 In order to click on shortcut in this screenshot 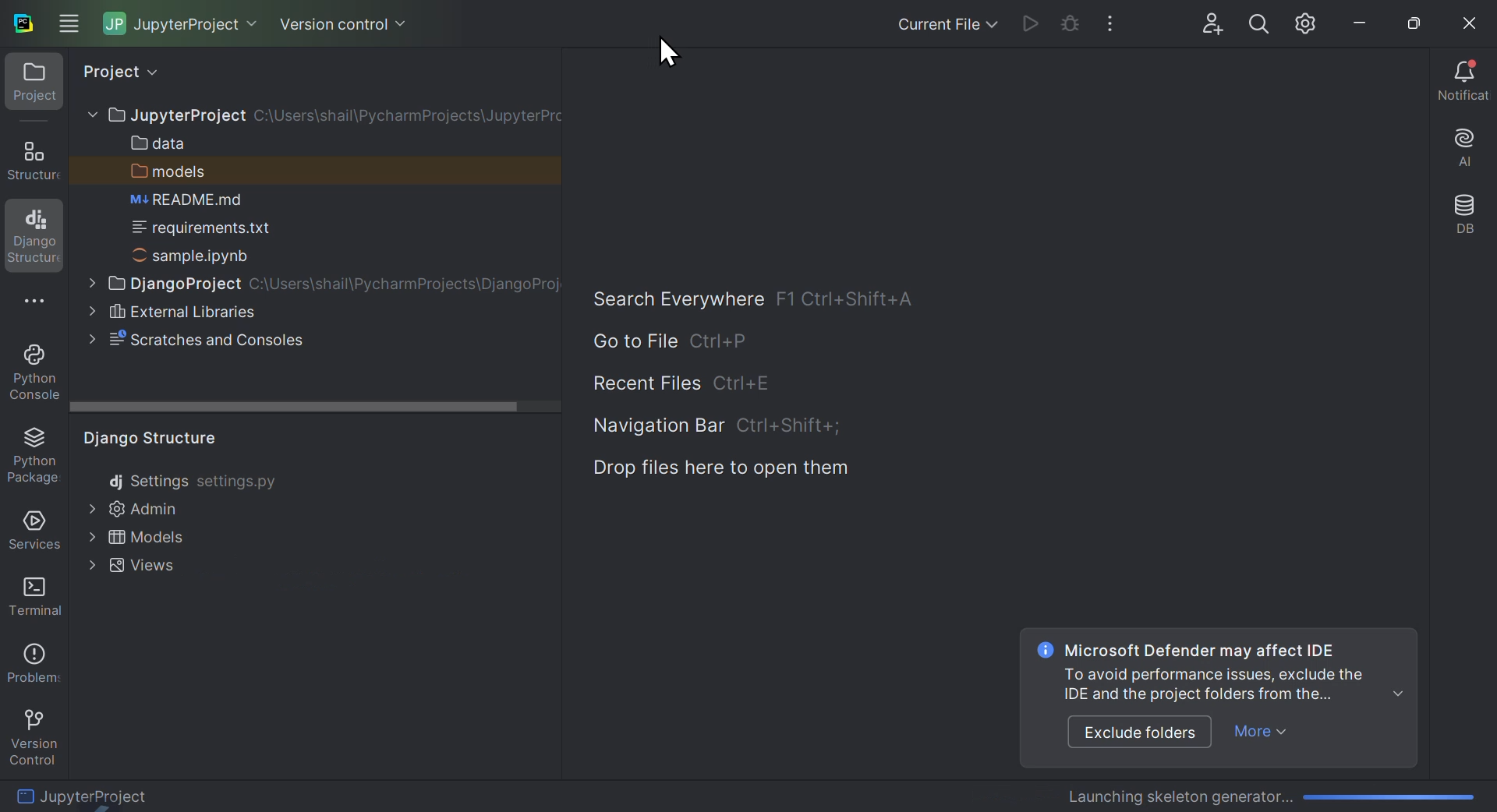, I will do `click(738, 344)`.